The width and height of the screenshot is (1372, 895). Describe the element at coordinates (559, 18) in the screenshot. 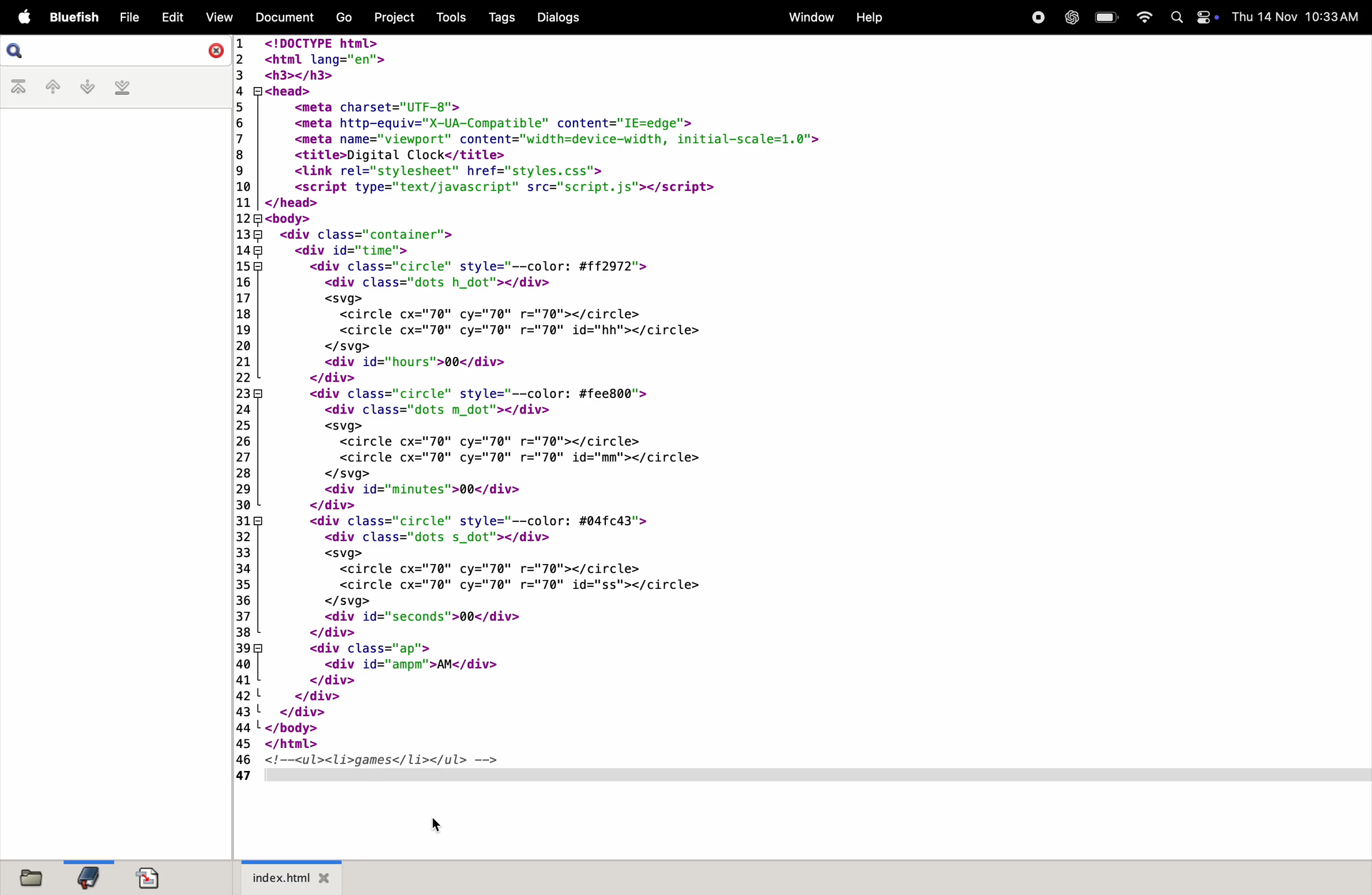

I see `dialogs` at that location.